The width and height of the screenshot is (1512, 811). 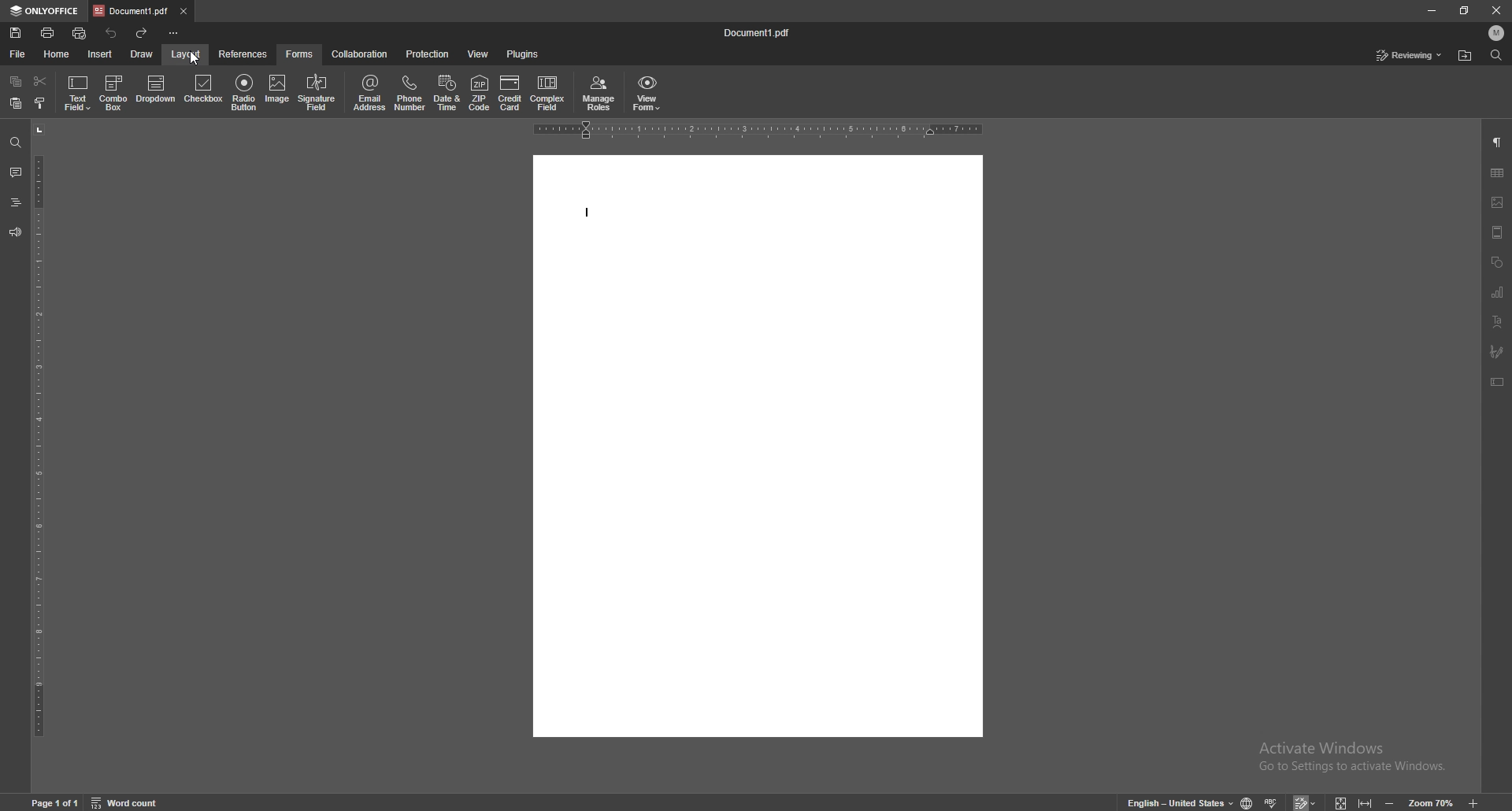 I want to click on resize, so click(x=1465, y=10).